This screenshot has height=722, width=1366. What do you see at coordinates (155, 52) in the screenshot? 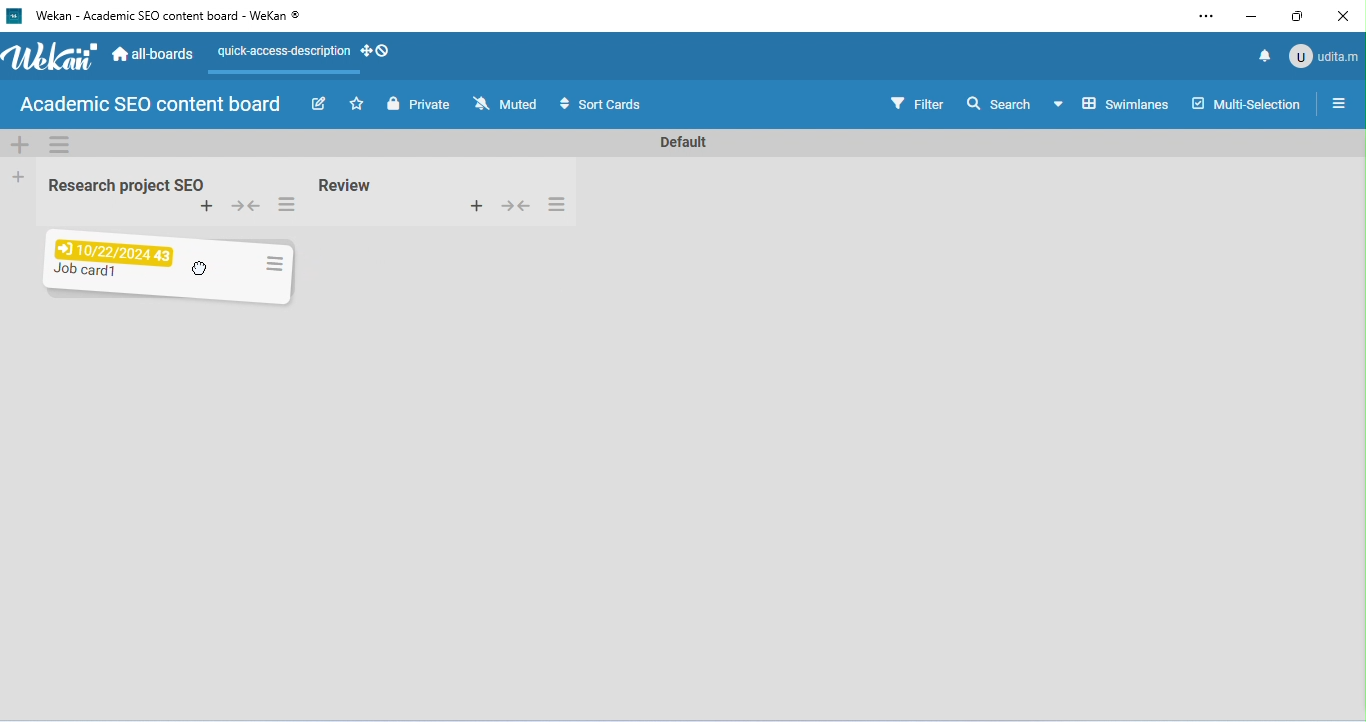
I see `all boards` at bounding box center [155, 52].